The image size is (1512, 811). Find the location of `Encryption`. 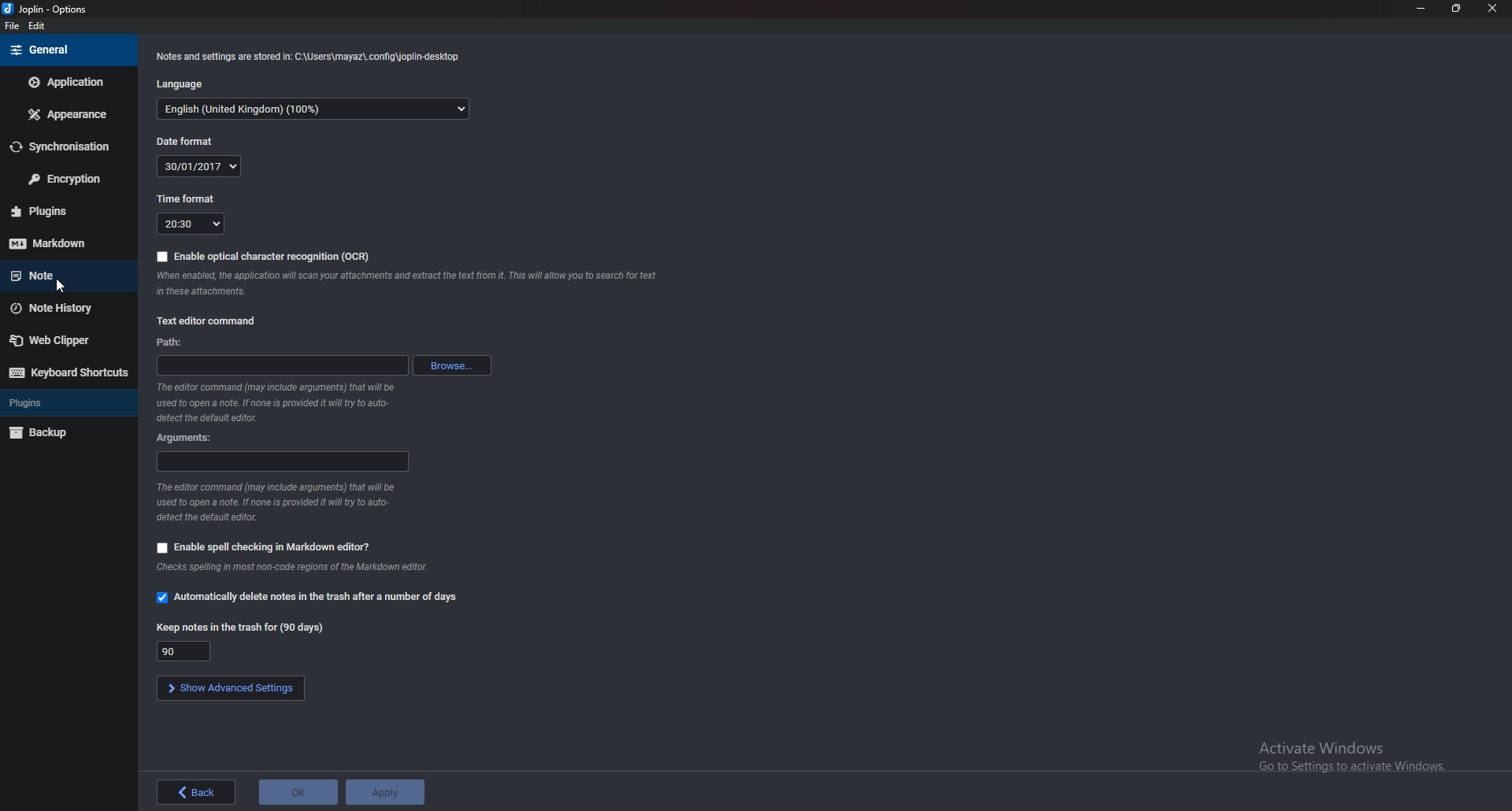

Encryption is located at coordinates (64, 179).